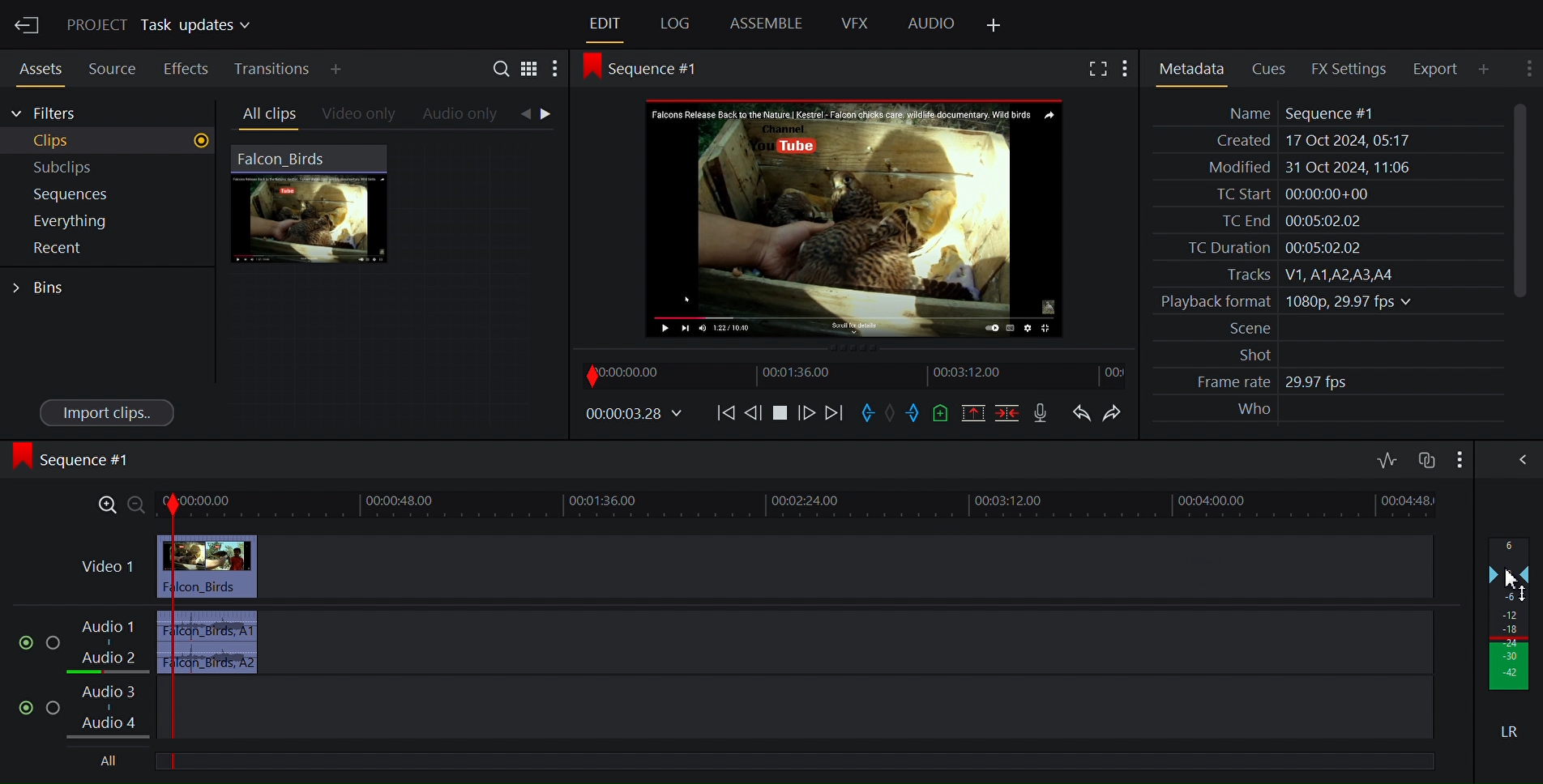 The width and height of the screenshot is (1543, 784). I want to click on Nudge one frame forward, so click(808, 413).